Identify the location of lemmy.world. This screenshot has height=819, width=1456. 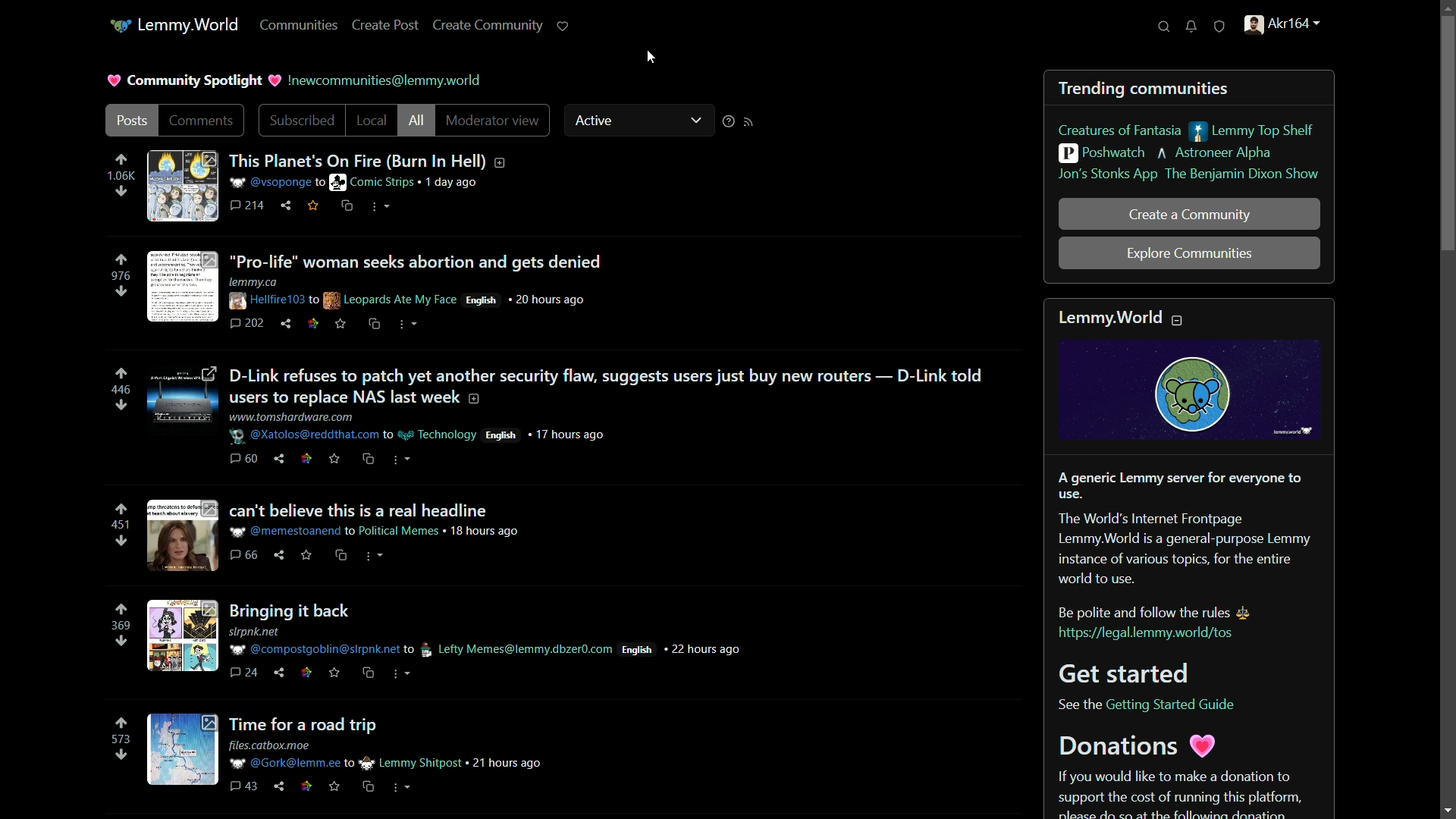
(187, 26).